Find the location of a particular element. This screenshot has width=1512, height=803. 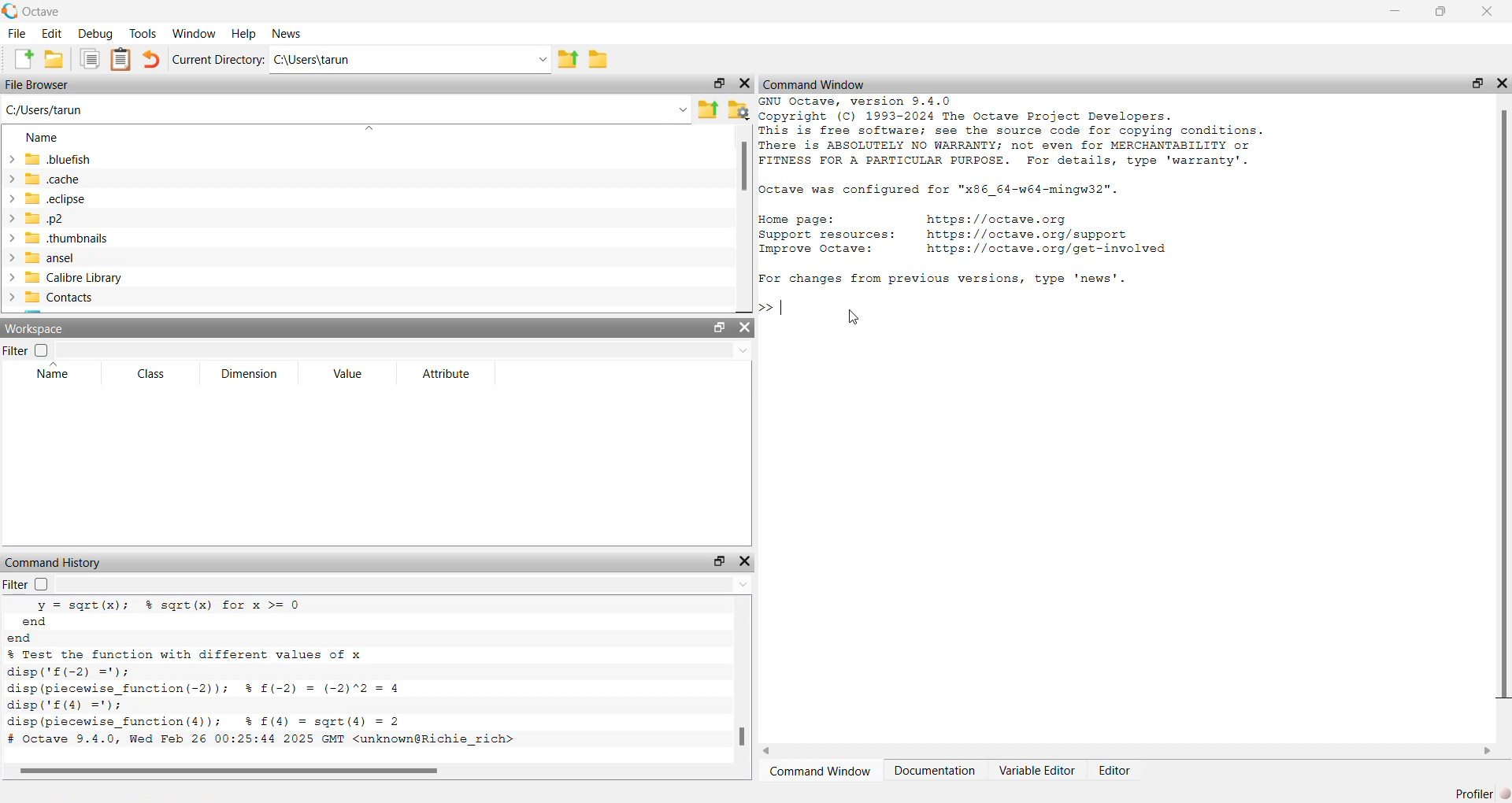

Scrollbar is located at coordinates (1506, 405).